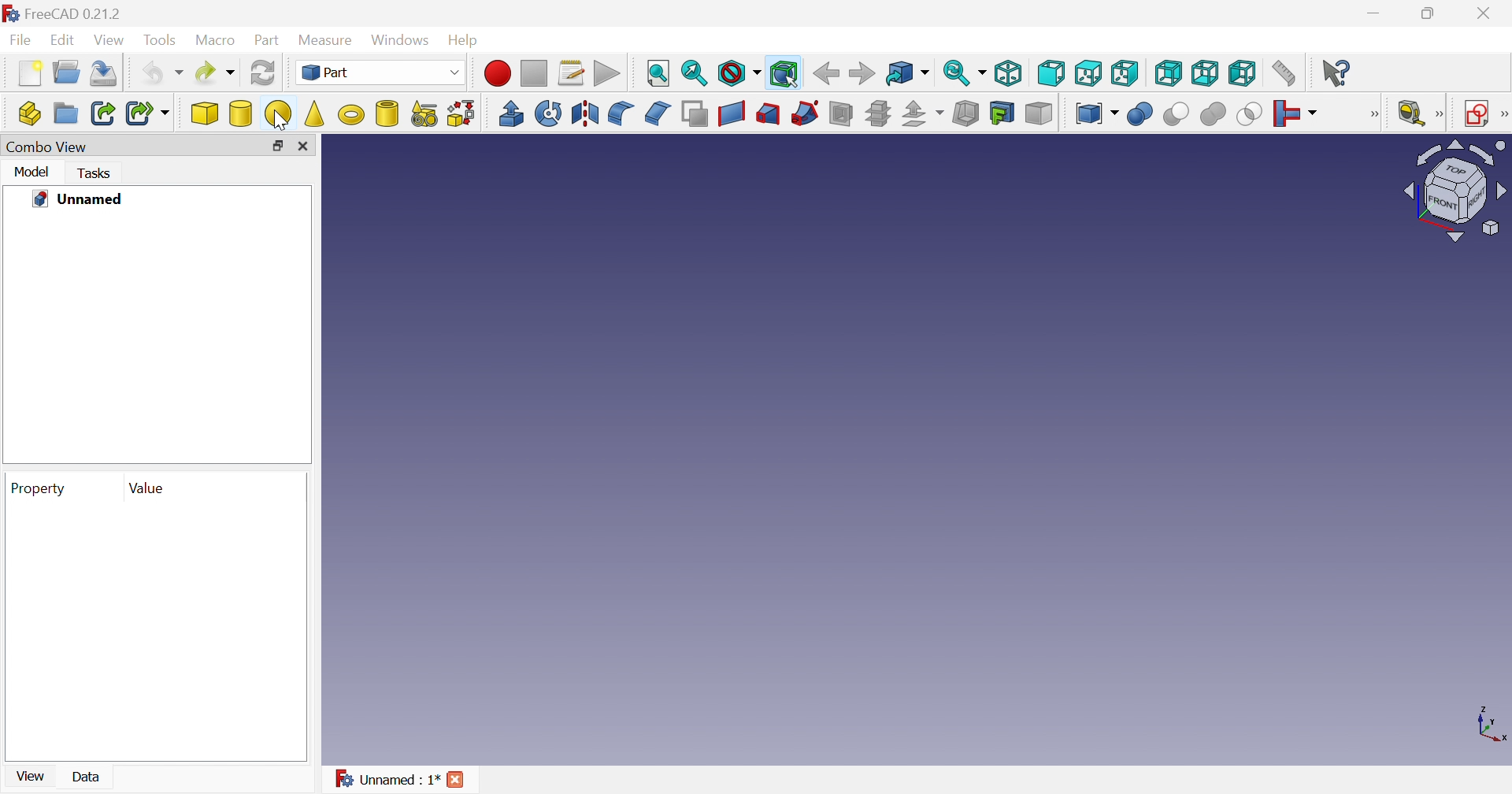 This screenshot has width=1512, height=794. I want to click on Restore down, so click(279, 145).